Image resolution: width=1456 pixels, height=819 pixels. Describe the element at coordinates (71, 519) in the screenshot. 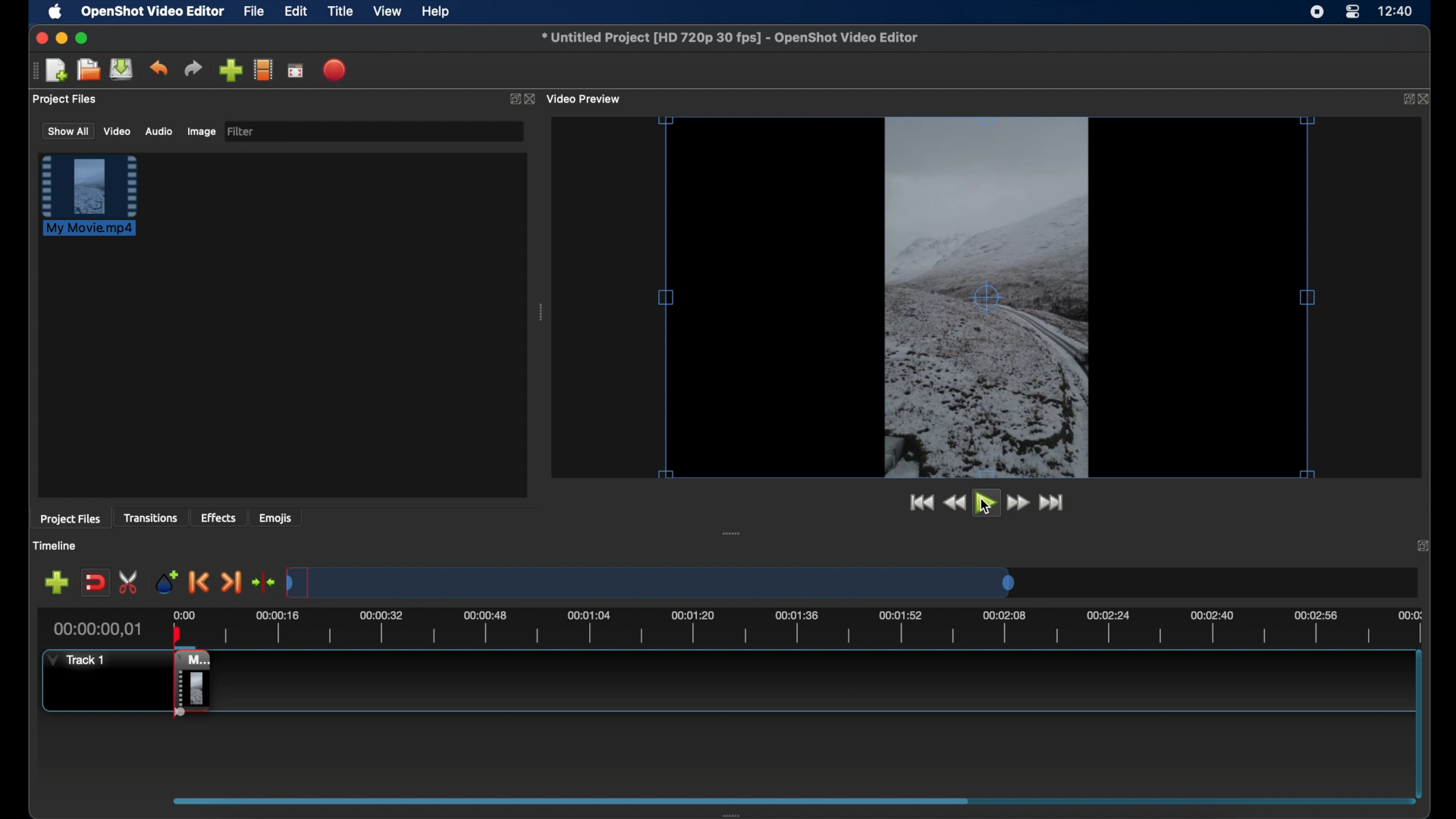

I see `project files` at that location.